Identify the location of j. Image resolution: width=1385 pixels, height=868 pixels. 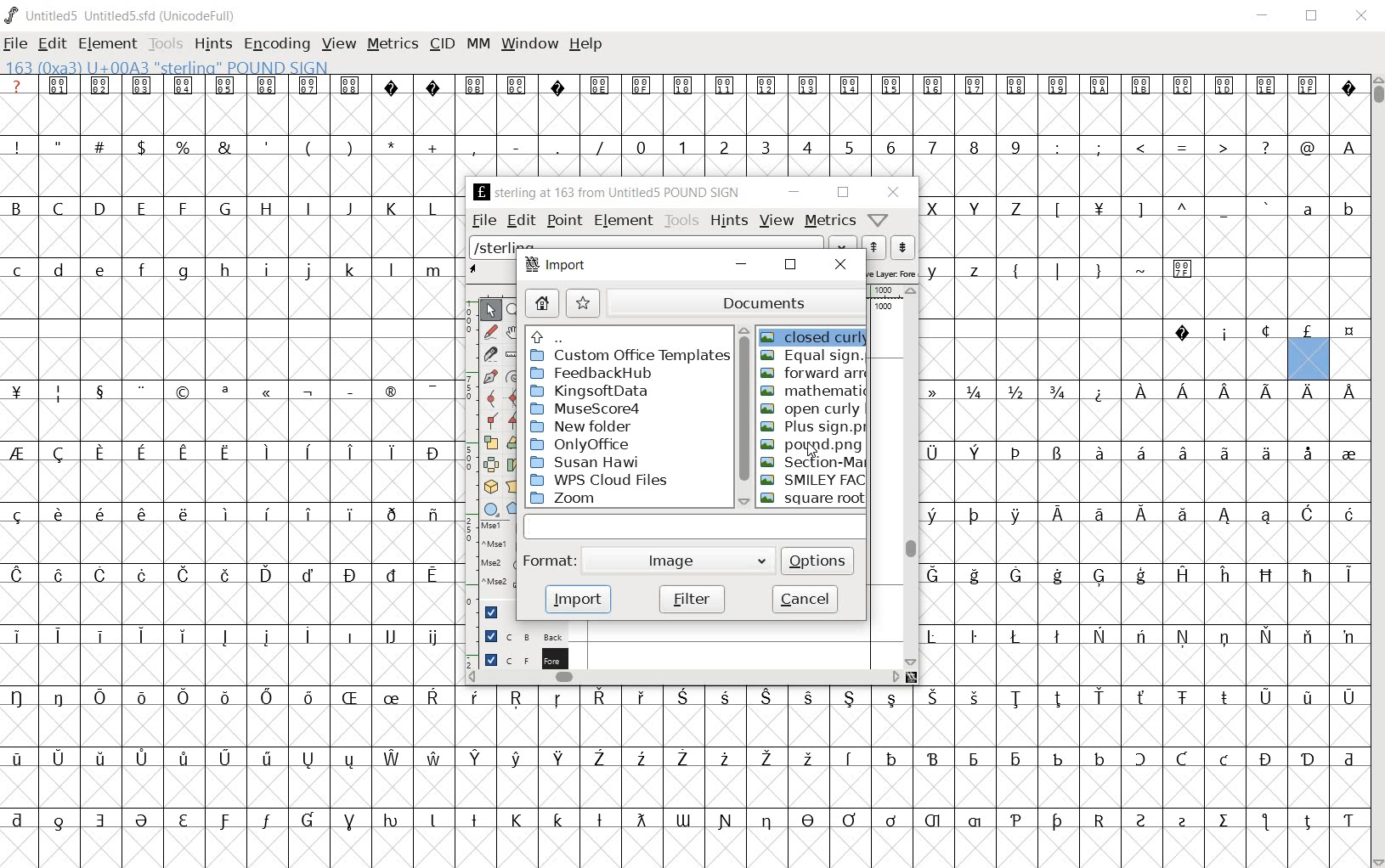
(308, 272).